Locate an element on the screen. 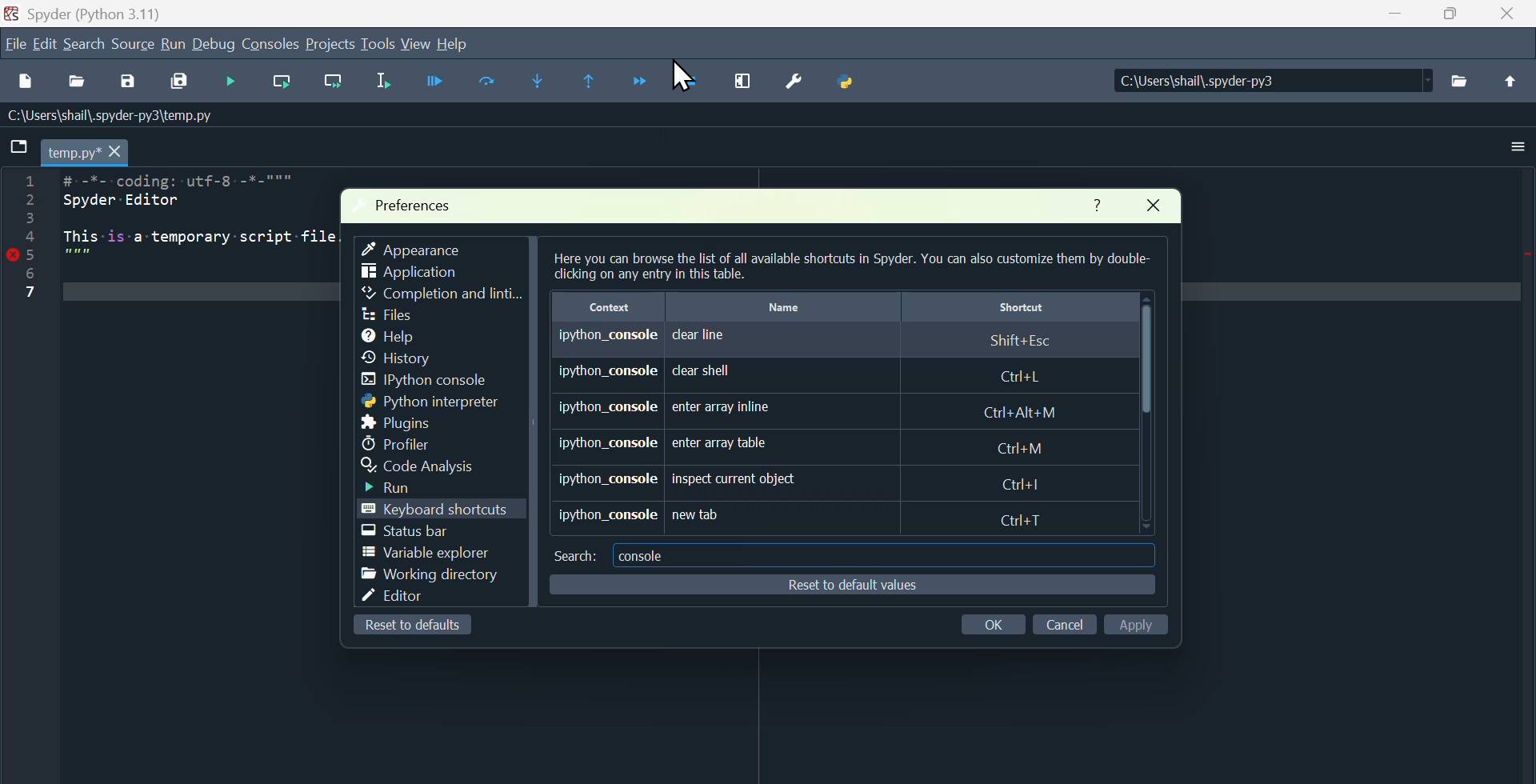 This screenshot has height=784, width=1536. Run is located at coordinates (177, 47).